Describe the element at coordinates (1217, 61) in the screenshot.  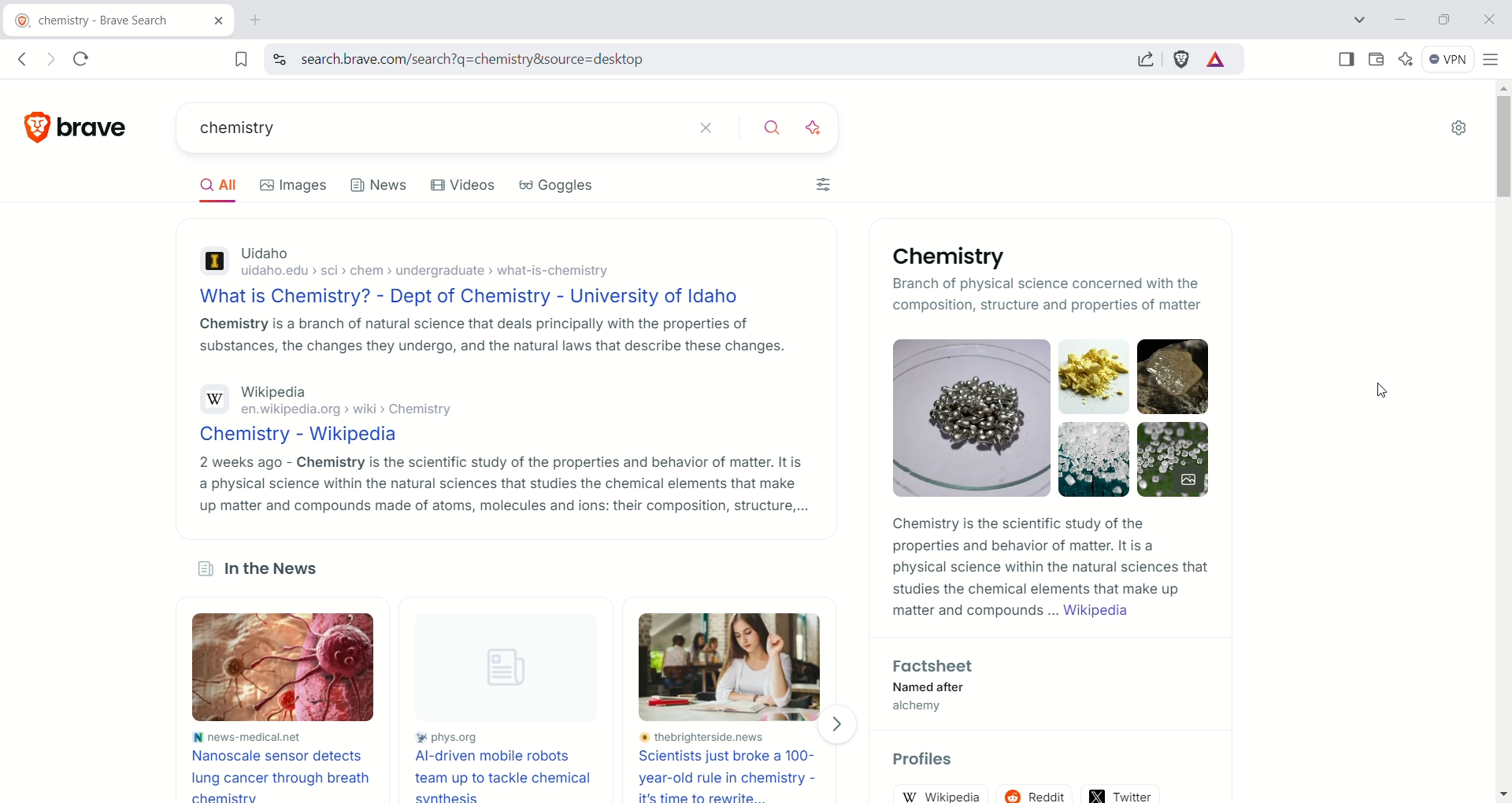
I see `brave rewards` at that location.